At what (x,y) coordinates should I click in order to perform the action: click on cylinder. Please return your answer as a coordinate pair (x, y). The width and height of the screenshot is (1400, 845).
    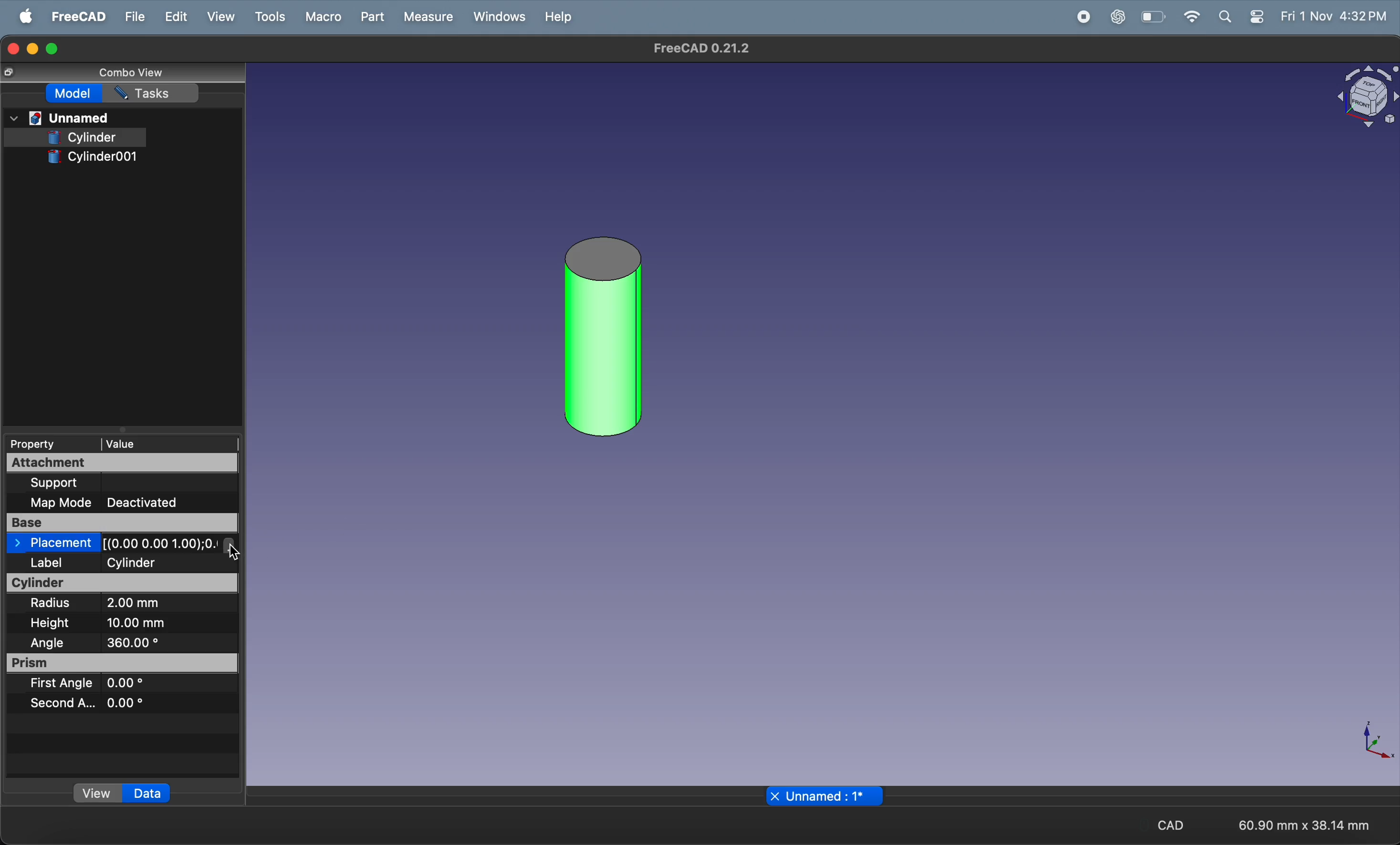
    Looking at the image, I should click on (82, 138).